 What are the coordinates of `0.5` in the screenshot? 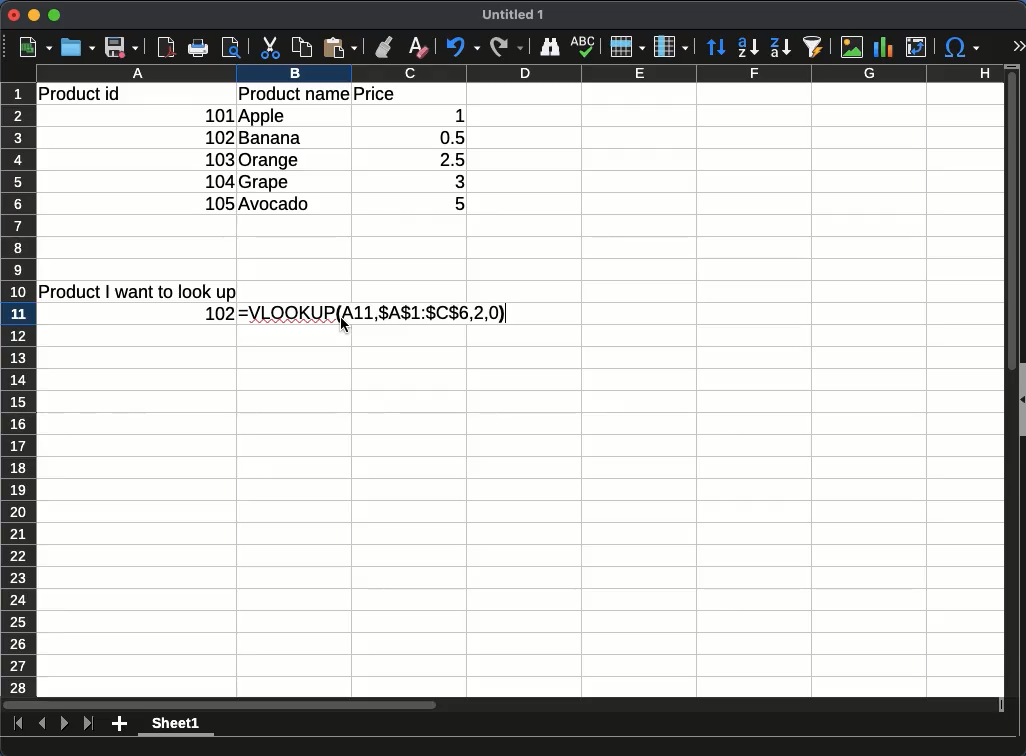 It's located at (446, 138).